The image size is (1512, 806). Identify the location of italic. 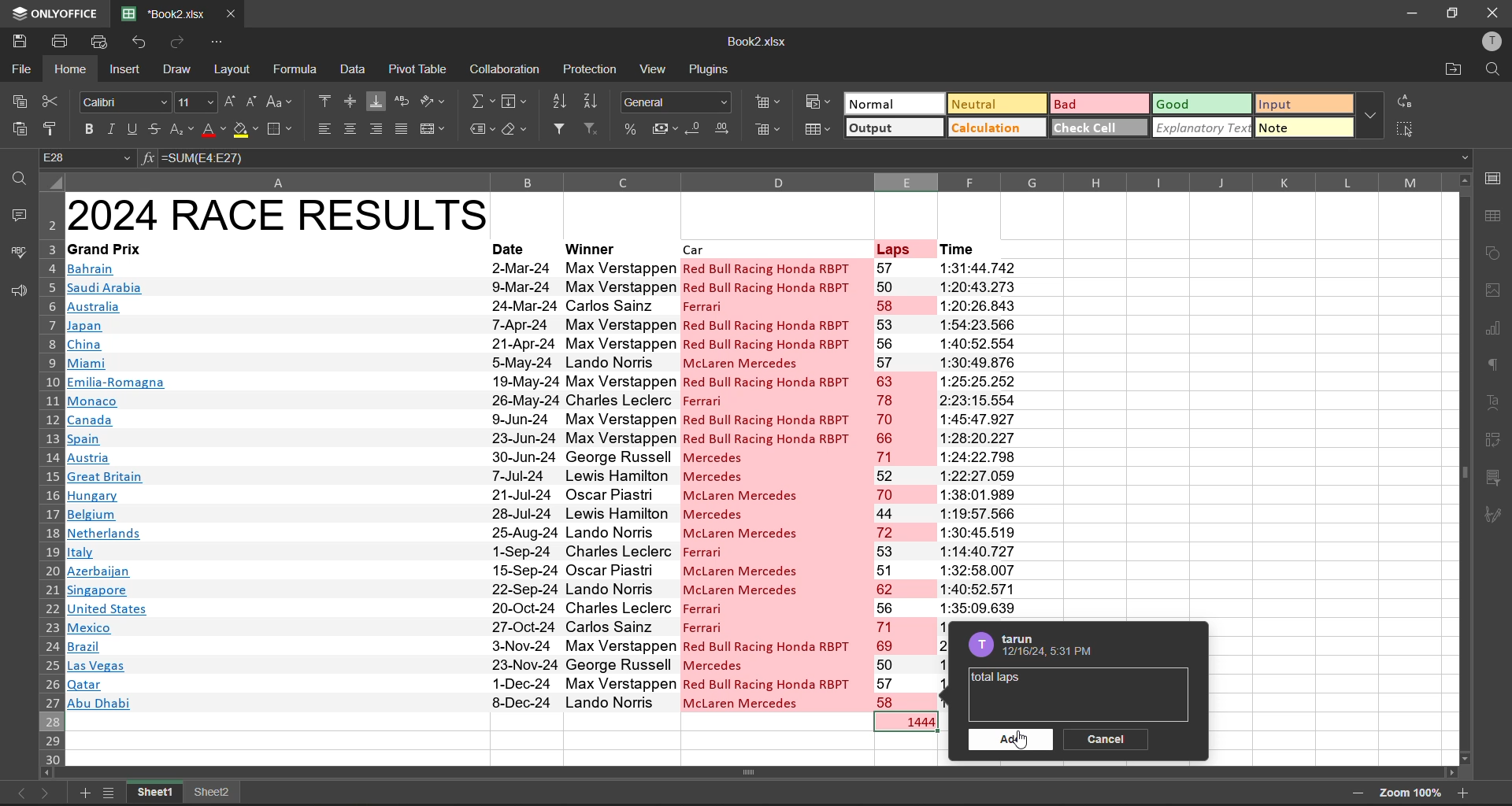
(113, 128).